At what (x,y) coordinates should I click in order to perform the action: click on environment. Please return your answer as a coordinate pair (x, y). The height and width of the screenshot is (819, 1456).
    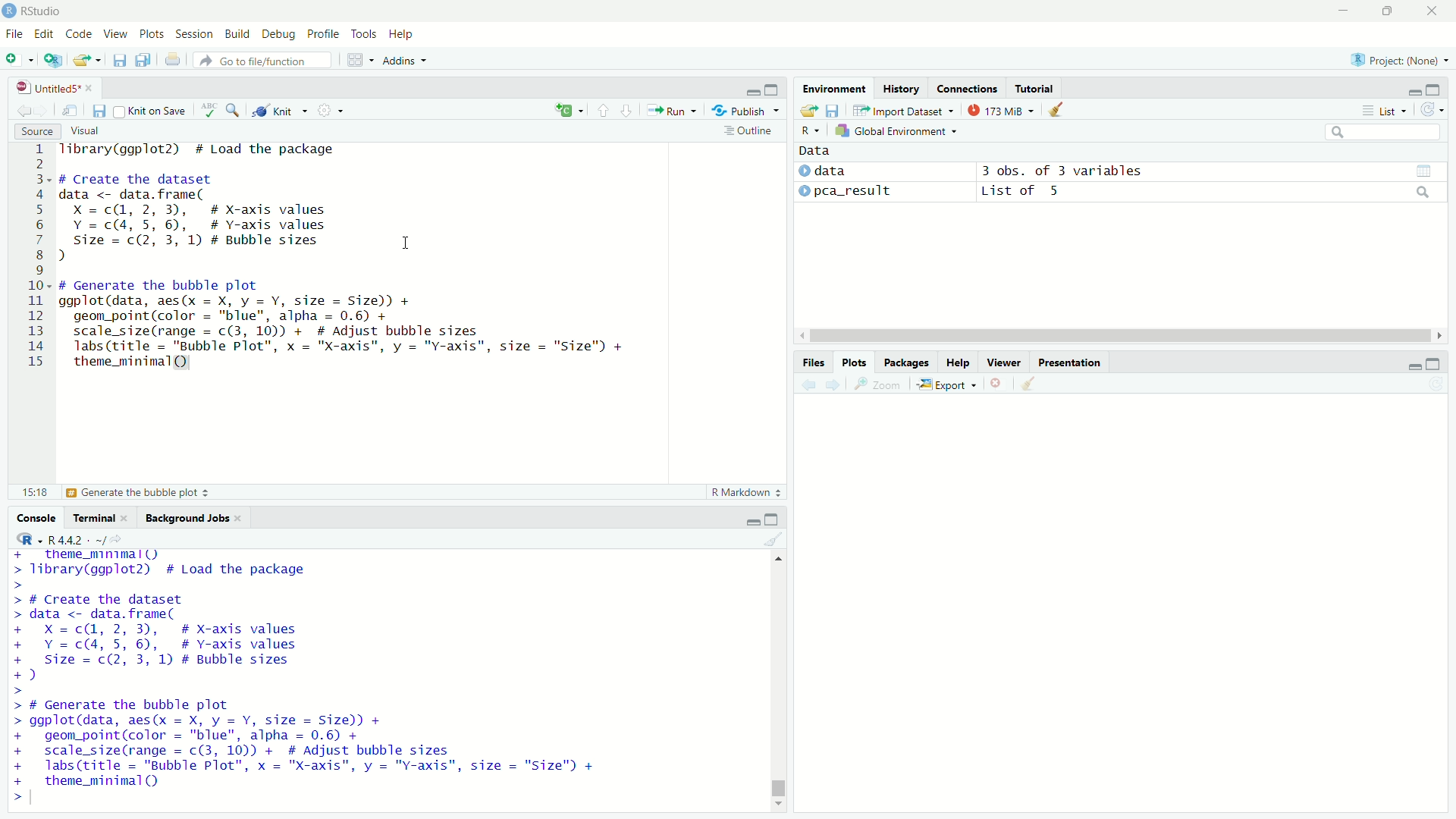
    Looking at the image, I should click on (836, 89).